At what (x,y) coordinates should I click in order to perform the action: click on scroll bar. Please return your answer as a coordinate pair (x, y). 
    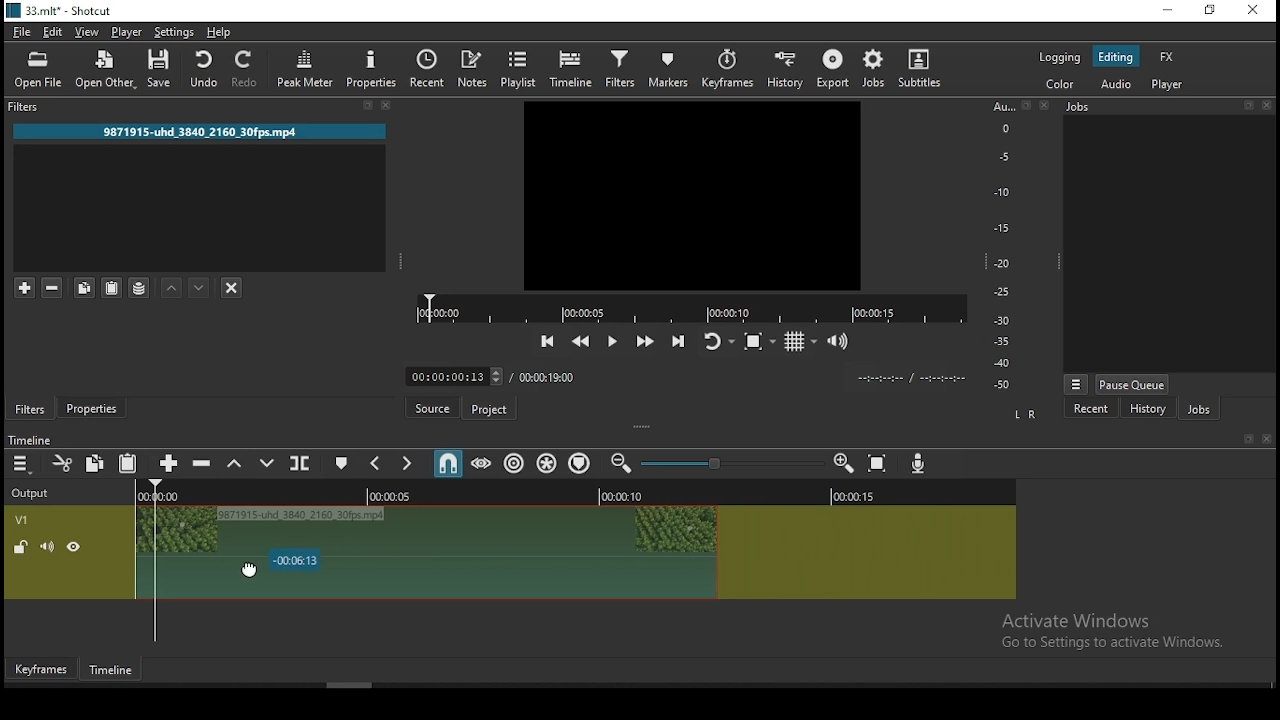
    Looking at the image, I should click on (349, 685).